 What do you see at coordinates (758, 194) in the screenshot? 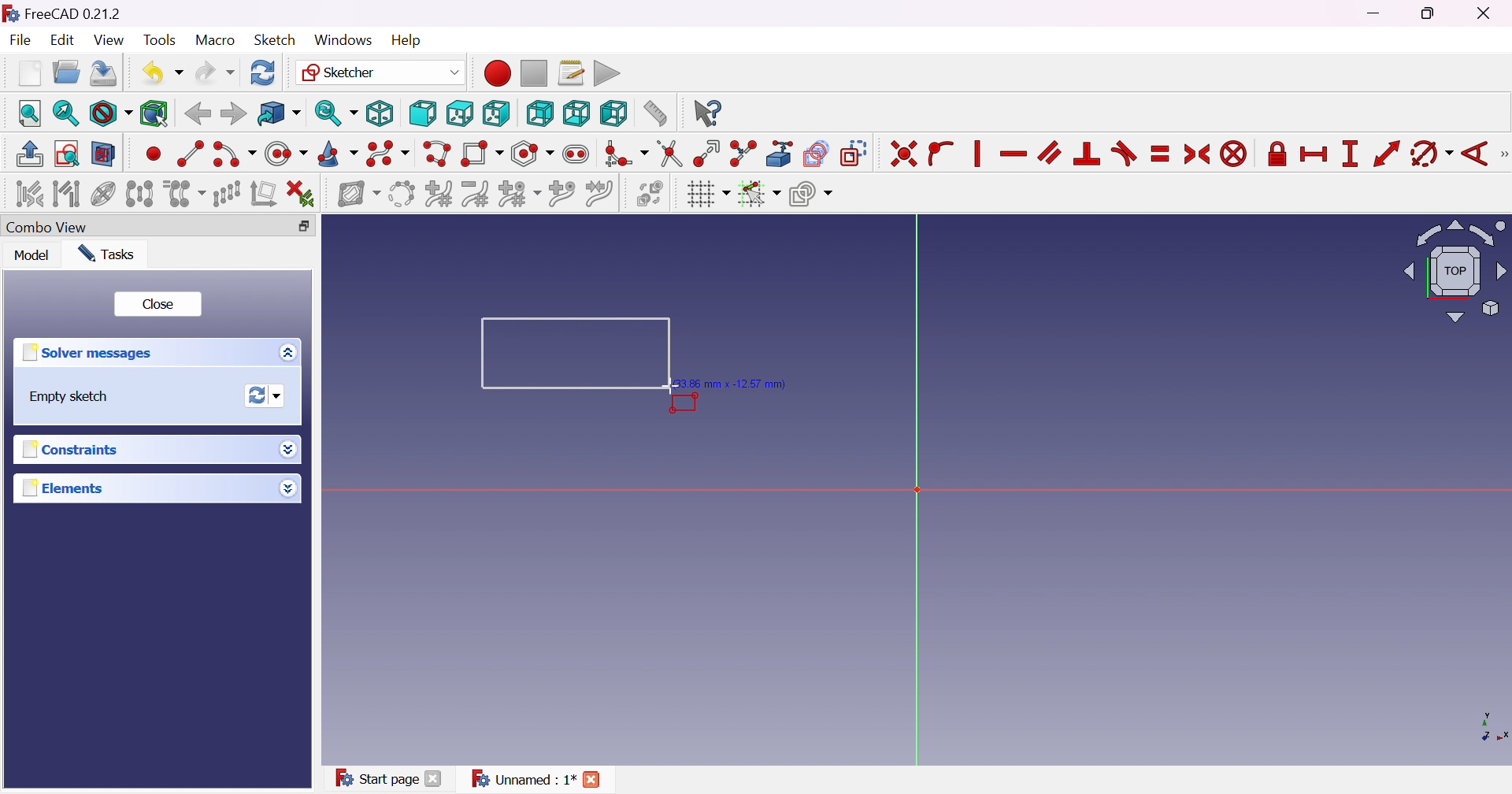
I see `Toggle snap` at bounding box center [758, 194].